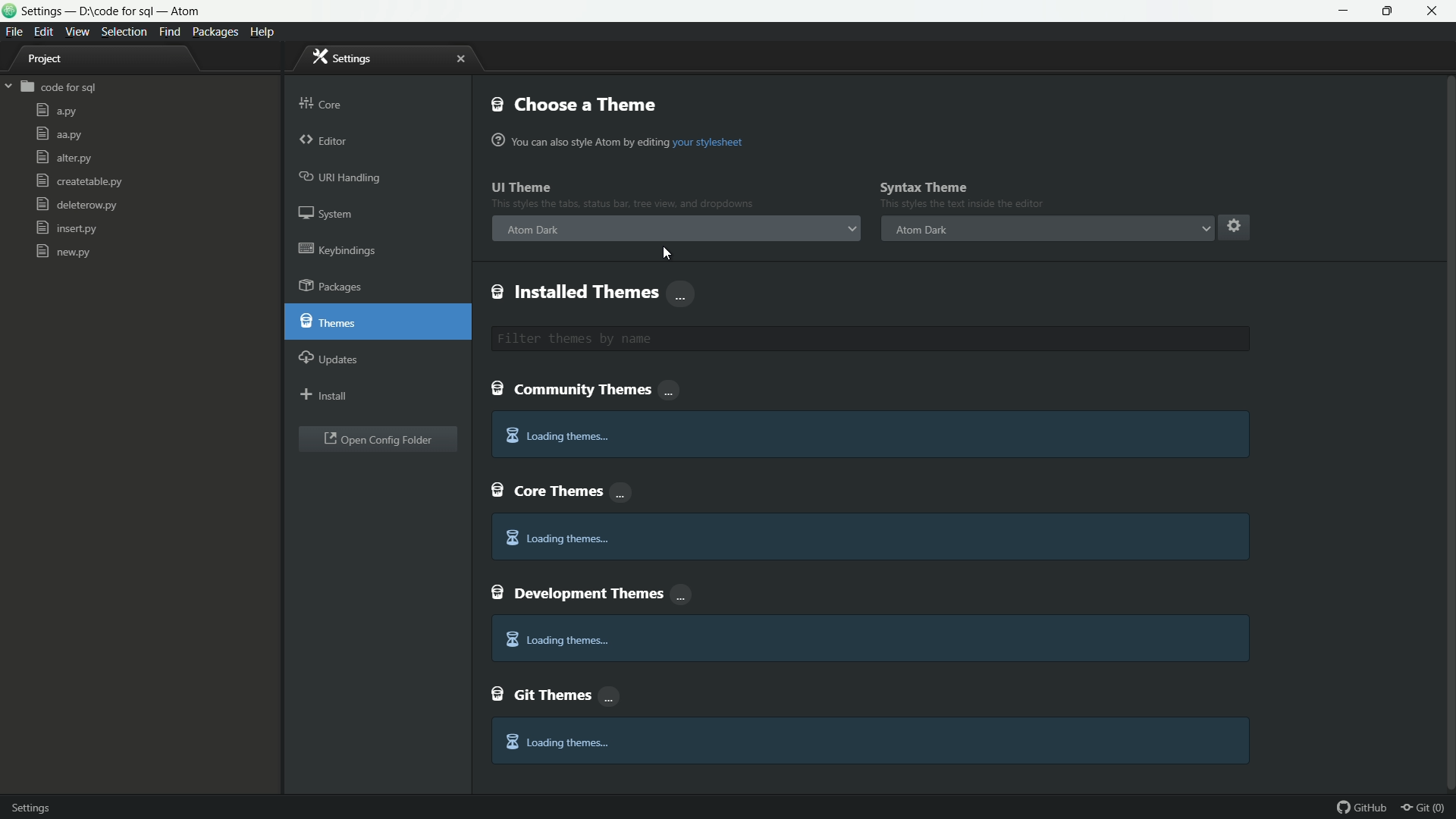 The image size is (1456, 819). What do you see at coordinates (594, 591) in the screenshot?
I see `developing themes` at bounding box center [594, 591].